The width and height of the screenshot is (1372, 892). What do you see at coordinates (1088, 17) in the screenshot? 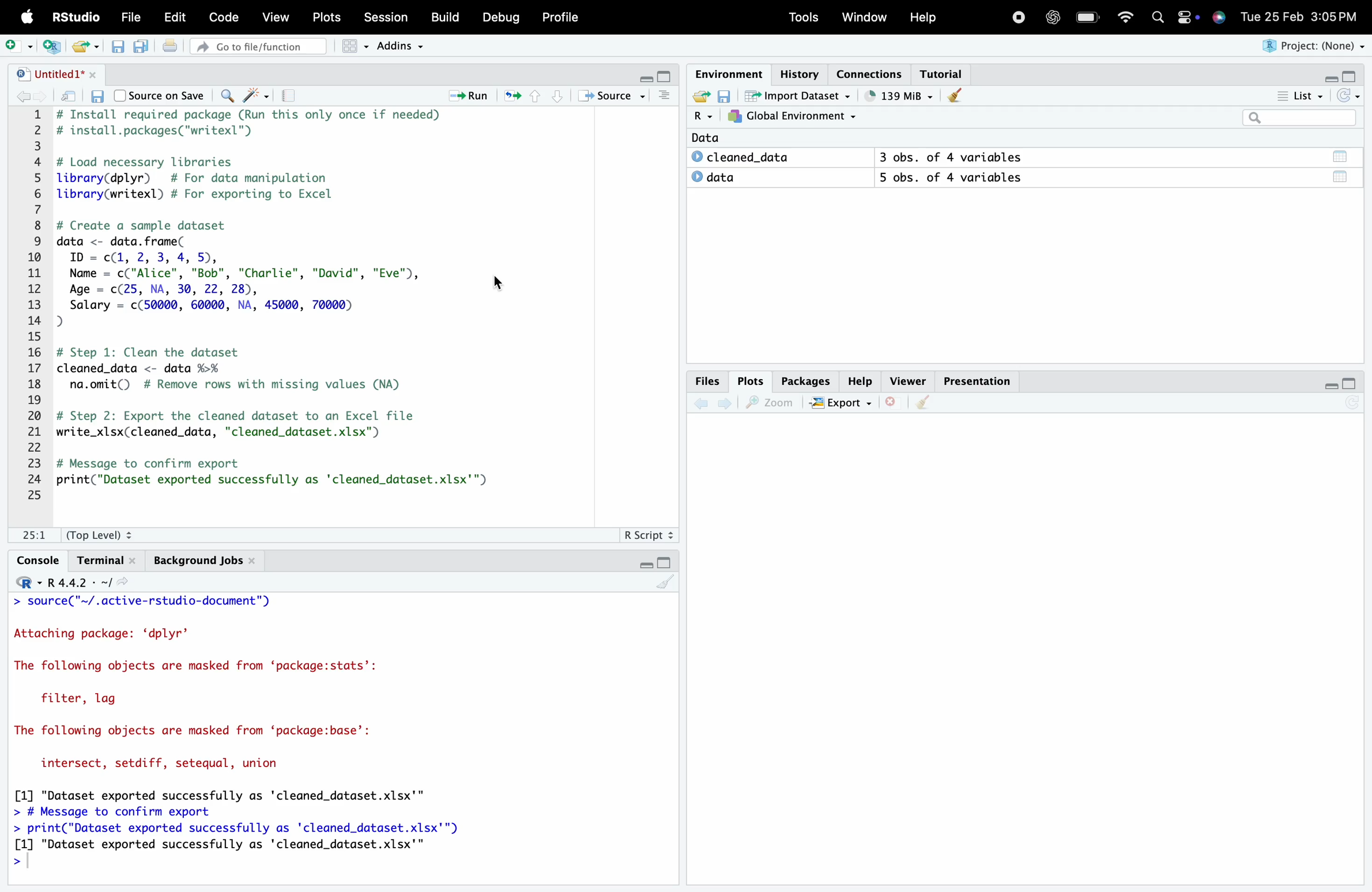
I see `Charging` at bounding box center [1088, 17].